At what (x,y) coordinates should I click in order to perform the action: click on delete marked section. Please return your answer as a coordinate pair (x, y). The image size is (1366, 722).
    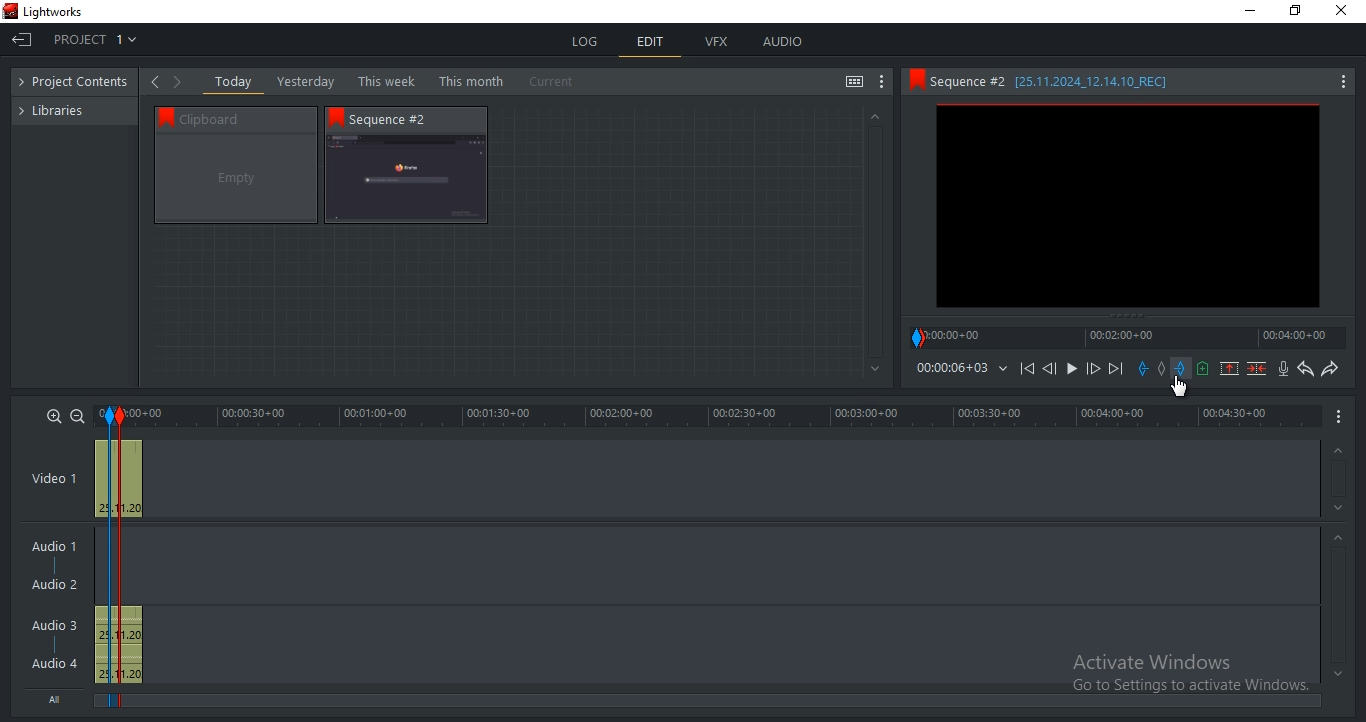
    Looking at the image, I should click on (1258, 368).